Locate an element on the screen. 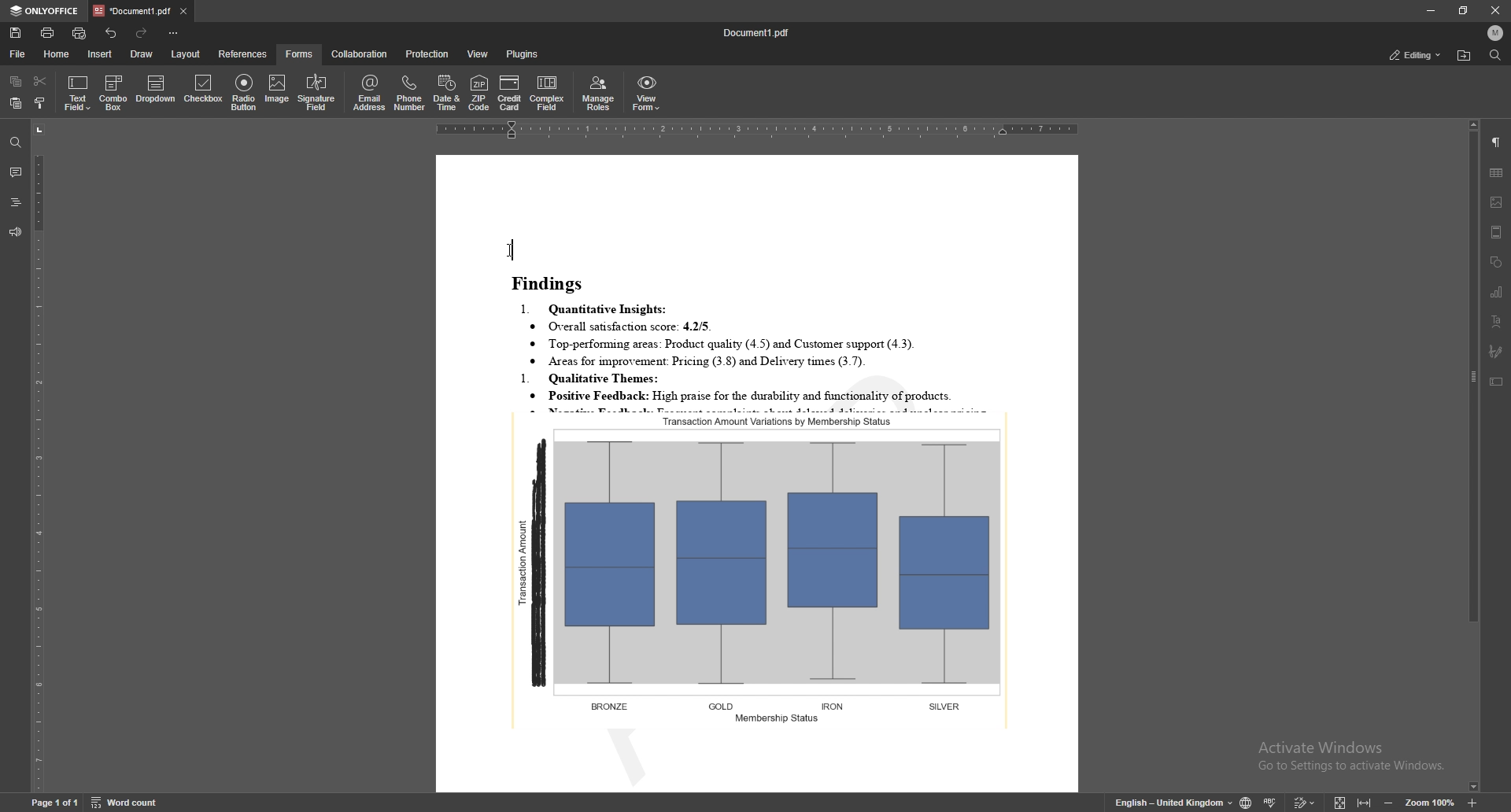 The width and height of the screenshot is (1511, 812). phone number is located at coordinates (410, 93).